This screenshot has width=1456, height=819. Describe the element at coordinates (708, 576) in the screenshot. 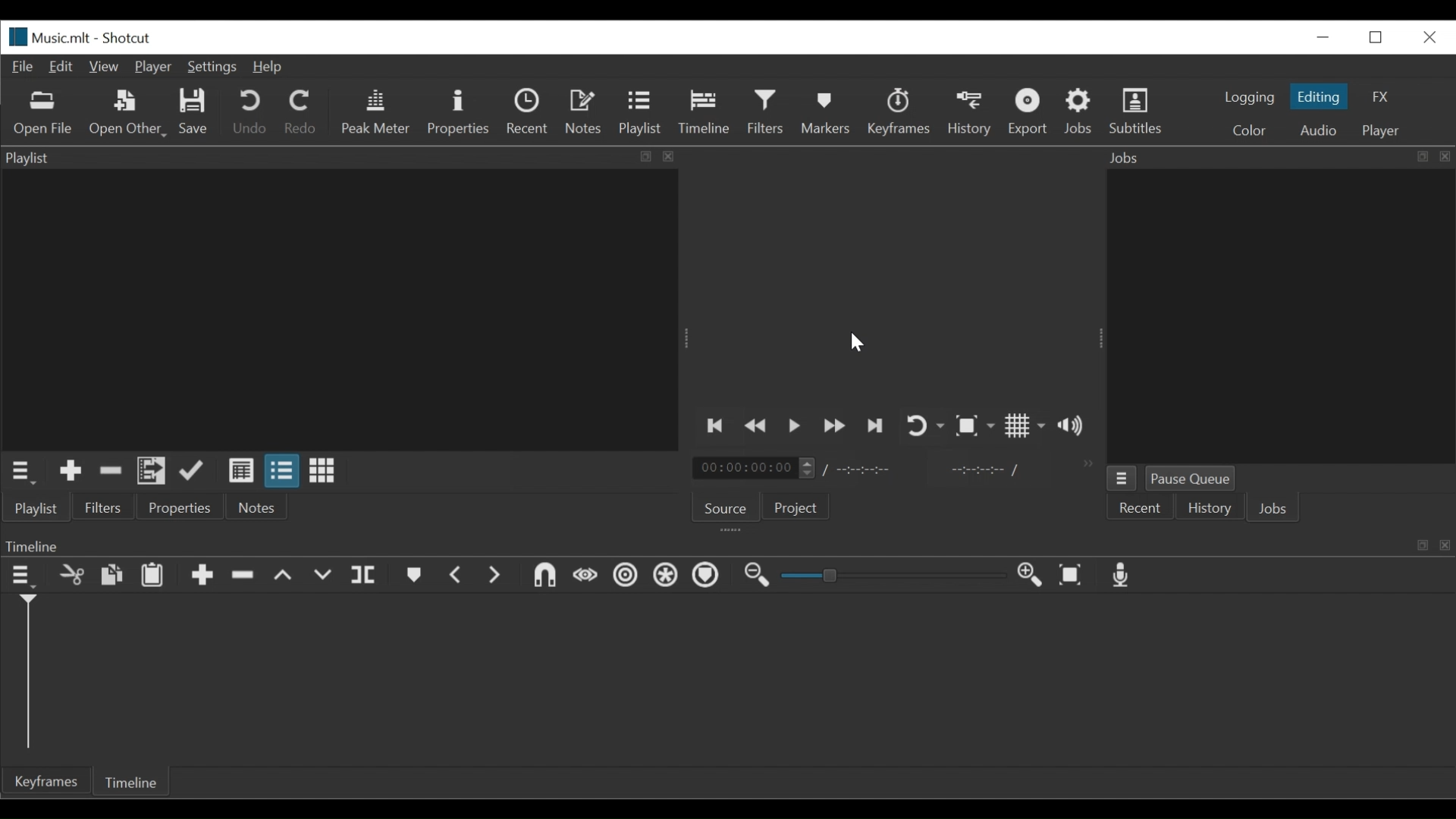

I see `Ripple Markers` at that location.